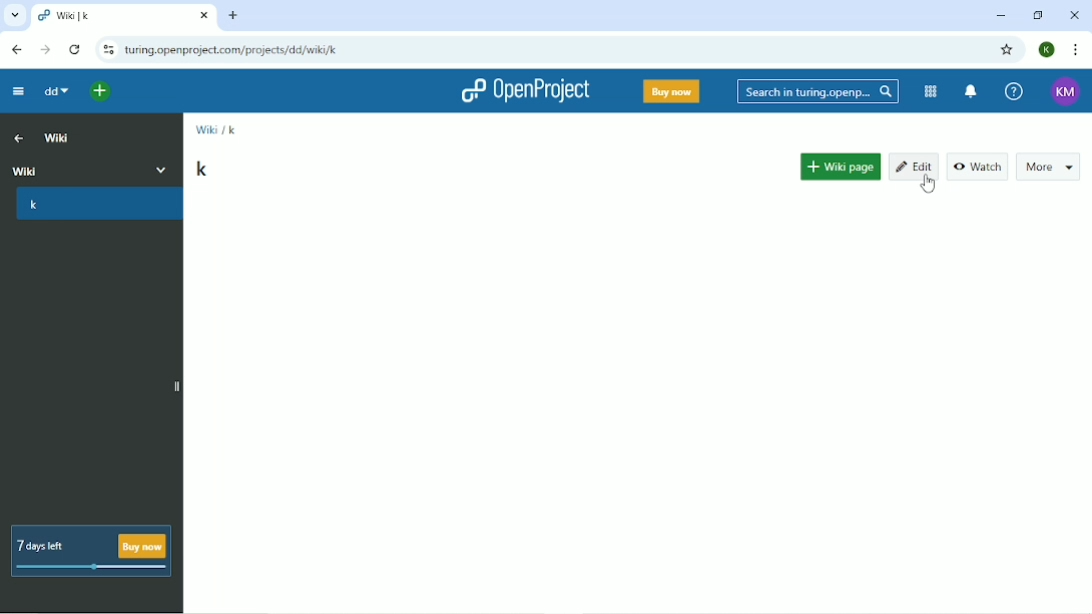 The image size is (1092, 614). I want to click on k, so click(231, 130).